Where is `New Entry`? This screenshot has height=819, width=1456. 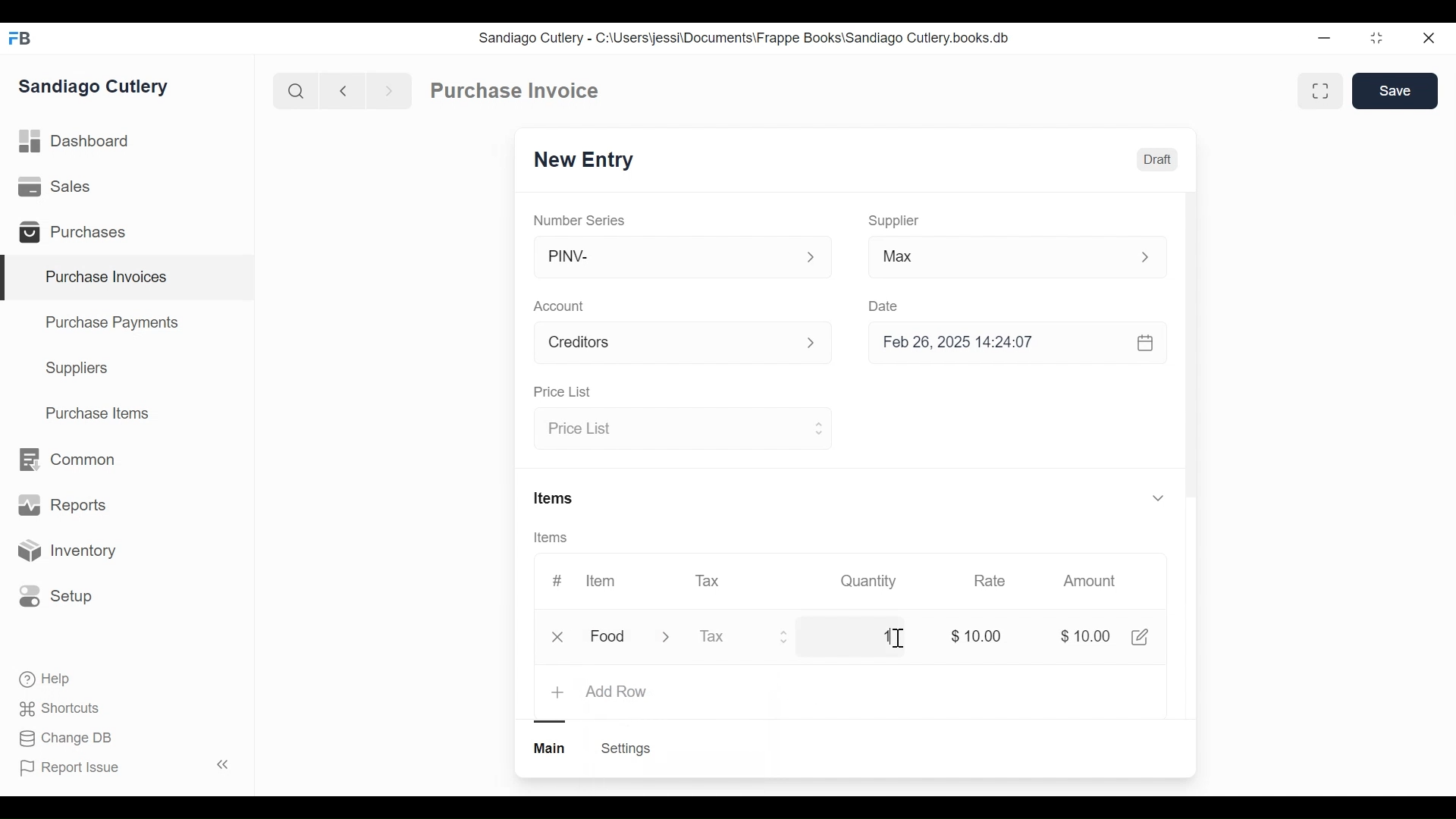
New Entry is located at coordinates (588, 161).